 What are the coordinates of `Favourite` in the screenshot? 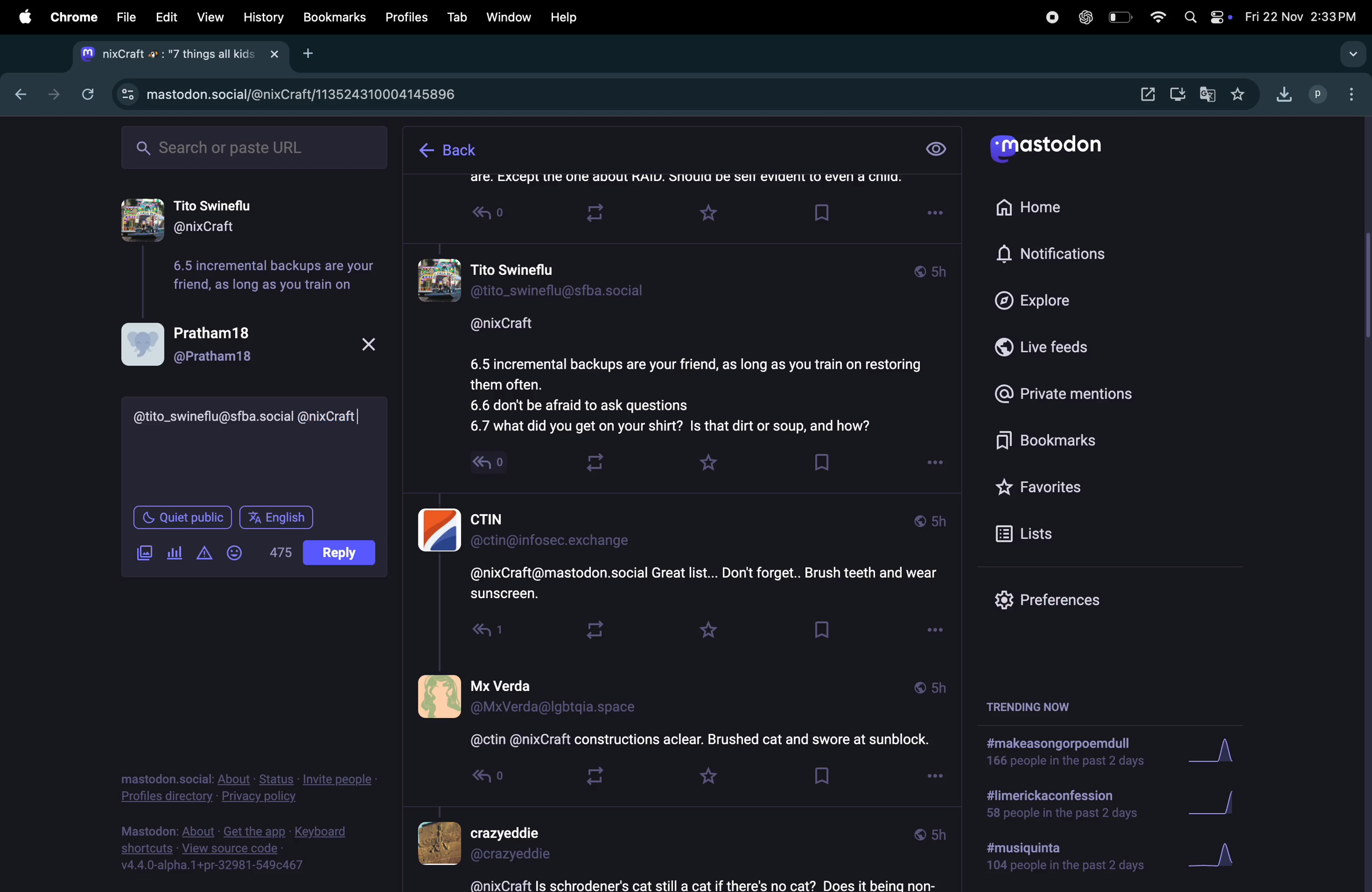 It's located at (703, 629).